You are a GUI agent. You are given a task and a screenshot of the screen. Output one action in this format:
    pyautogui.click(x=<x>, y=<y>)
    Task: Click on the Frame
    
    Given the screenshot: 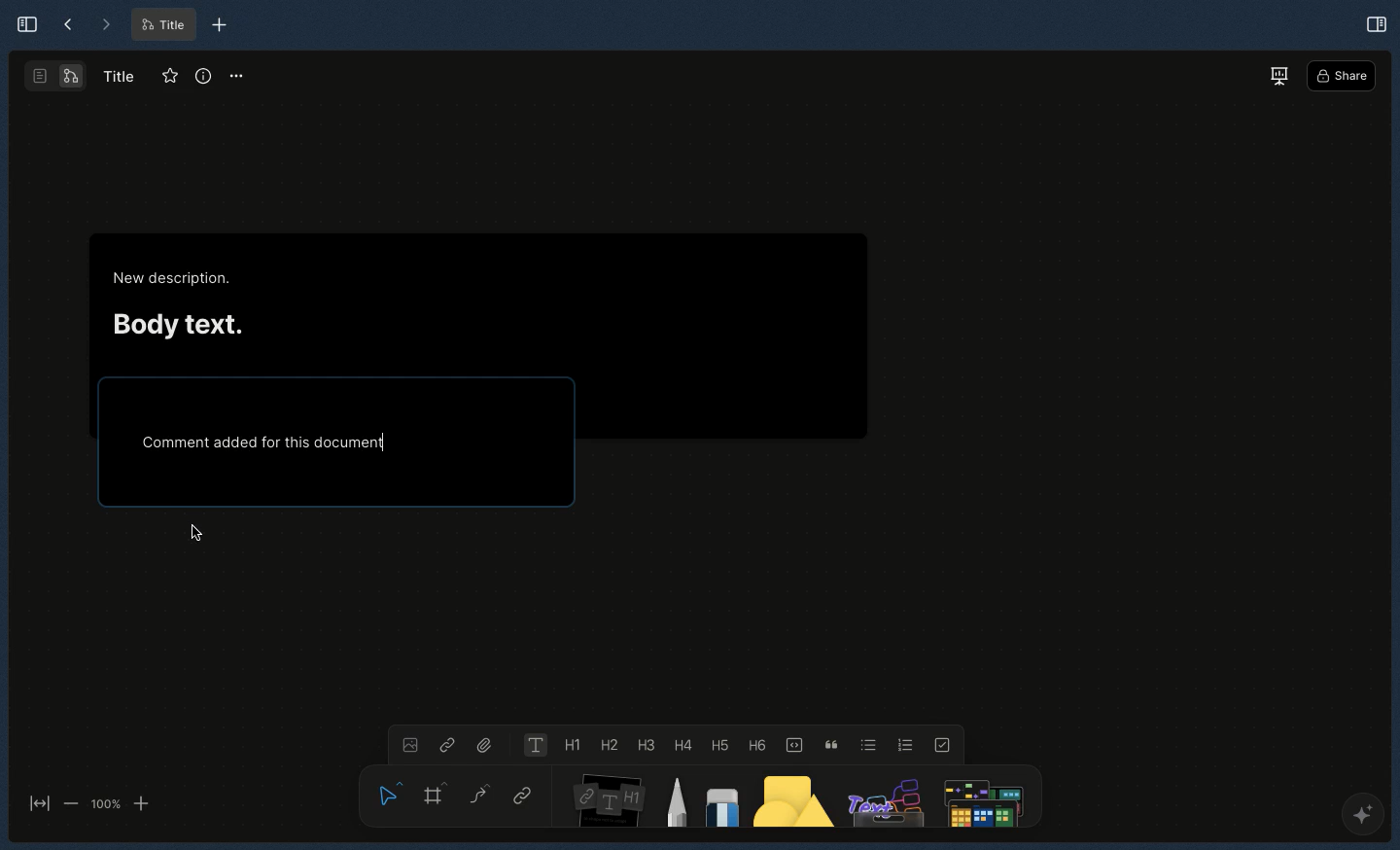 What is the action you would take?
    pyautogui.click(x=437, y=793)
    